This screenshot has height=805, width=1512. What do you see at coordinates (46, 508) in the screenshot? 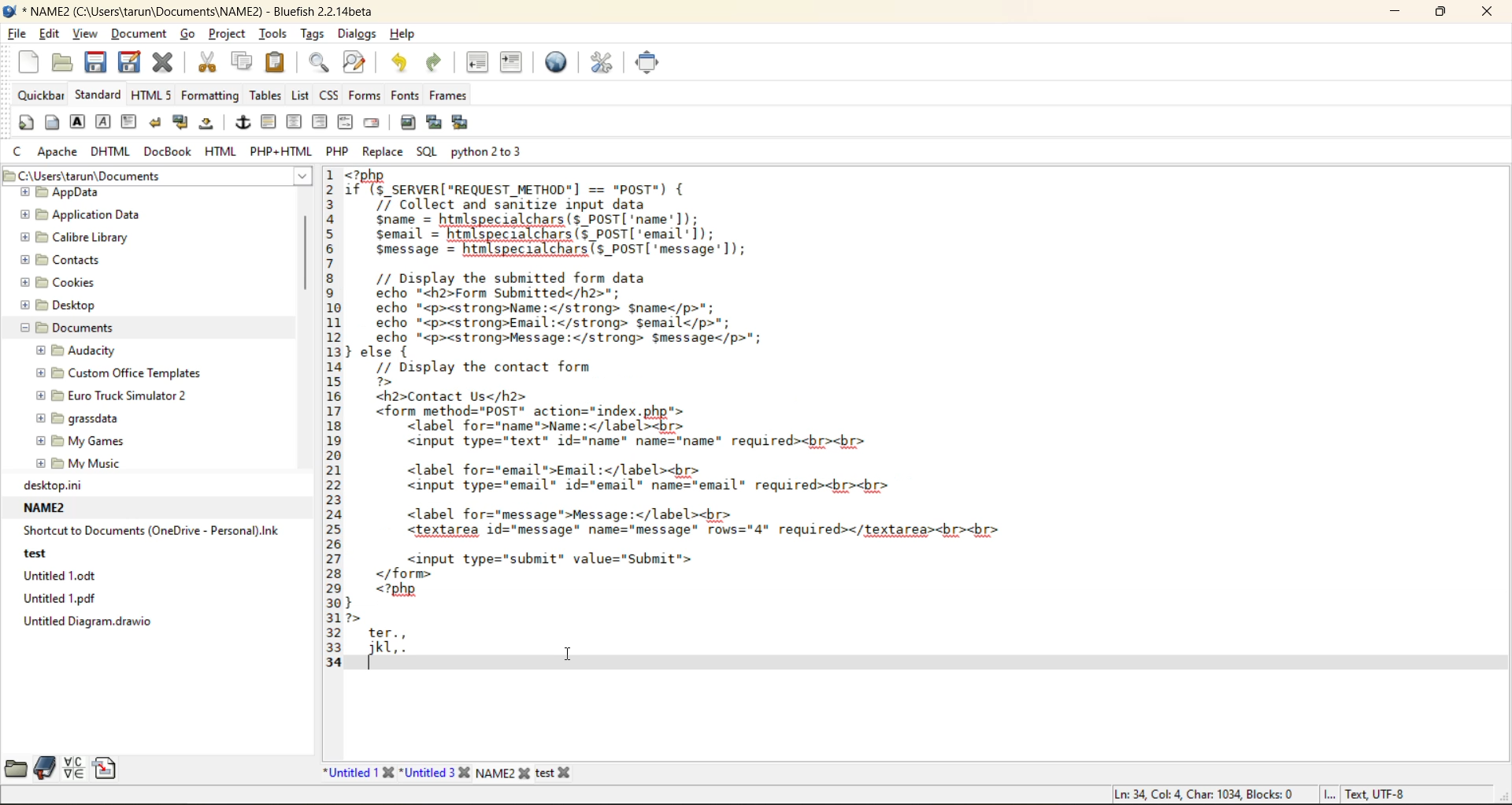
I see `NAME2` at bounding box center [46, 508].